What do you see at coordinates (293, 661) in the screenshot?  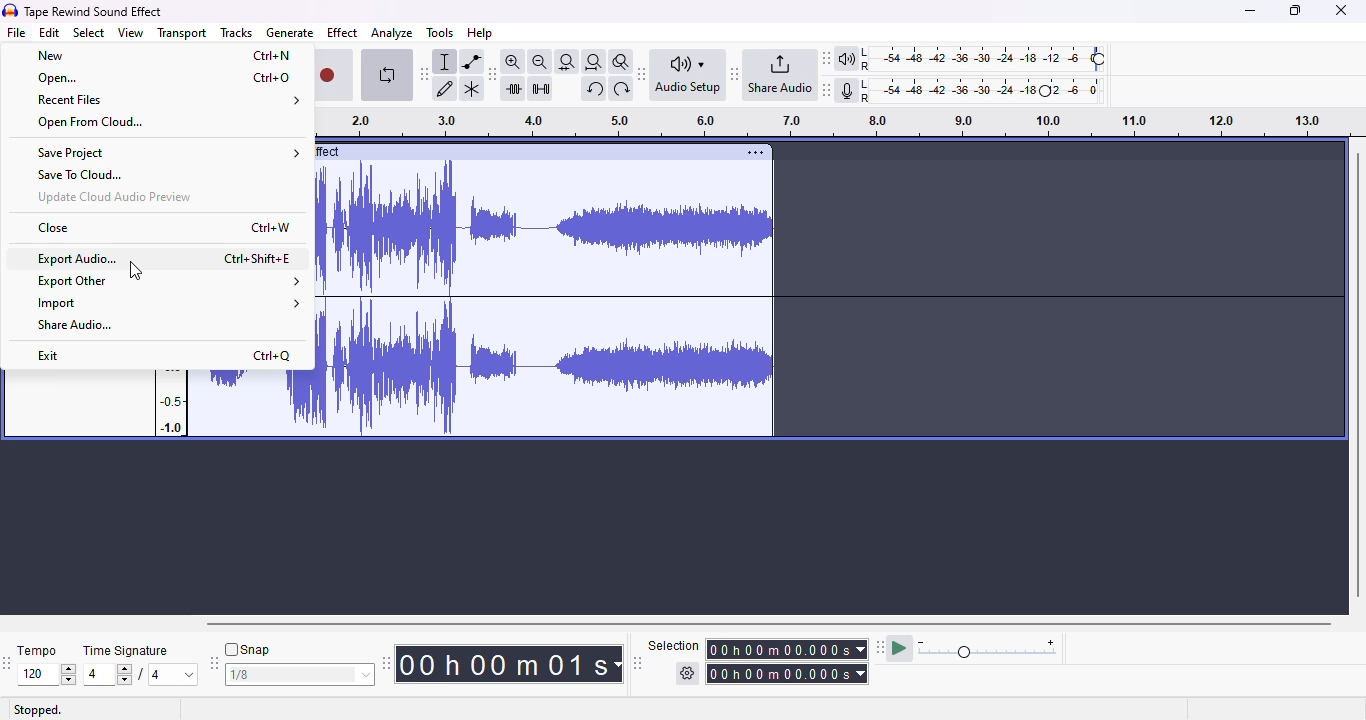 I see `audacity snapping toolbar` at bounding box center [293, 661].